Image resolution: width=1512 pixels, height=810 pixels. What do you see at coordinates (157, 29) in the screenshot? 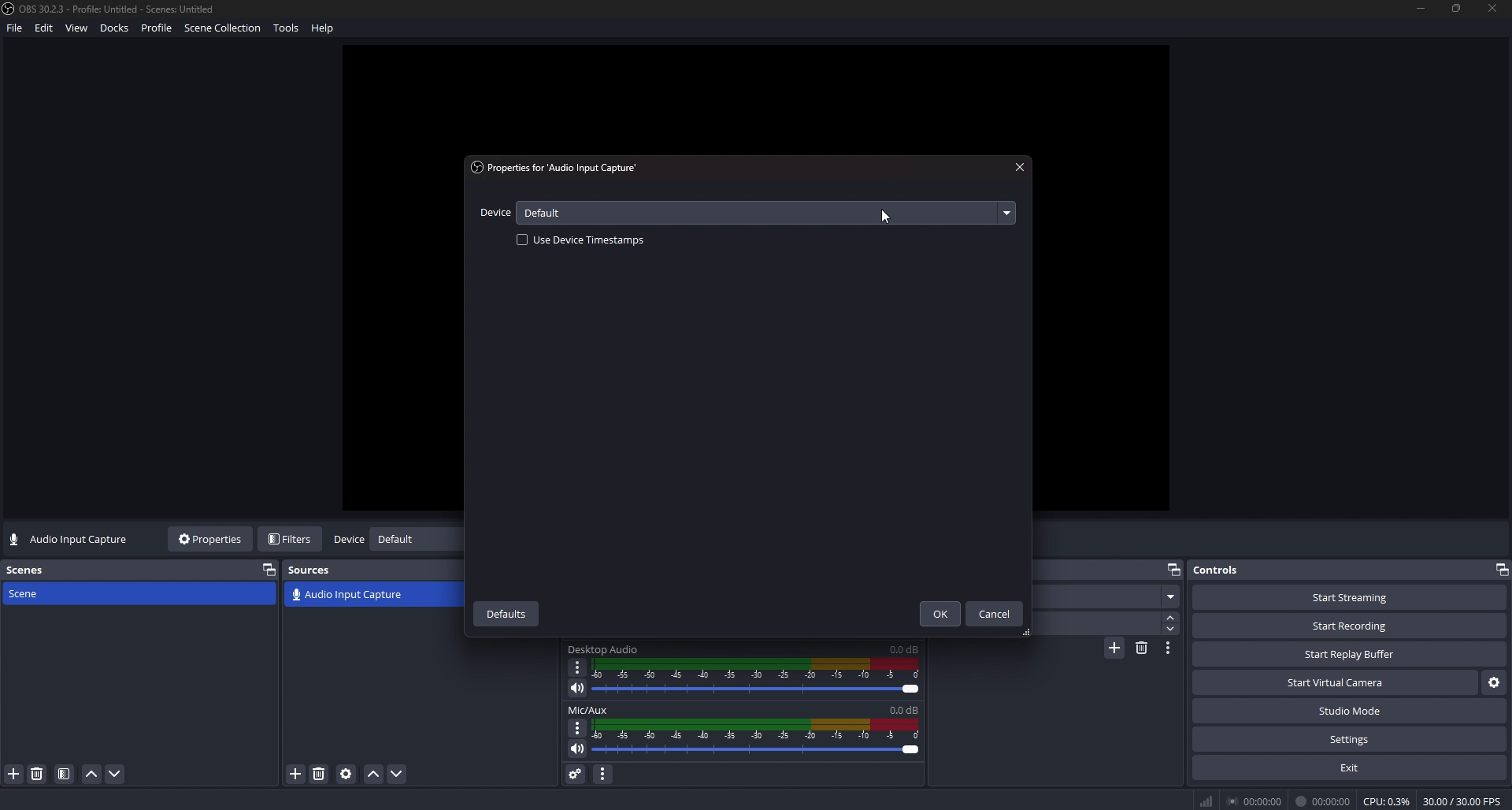
I see `Profile` at bounding box center [157, 29].